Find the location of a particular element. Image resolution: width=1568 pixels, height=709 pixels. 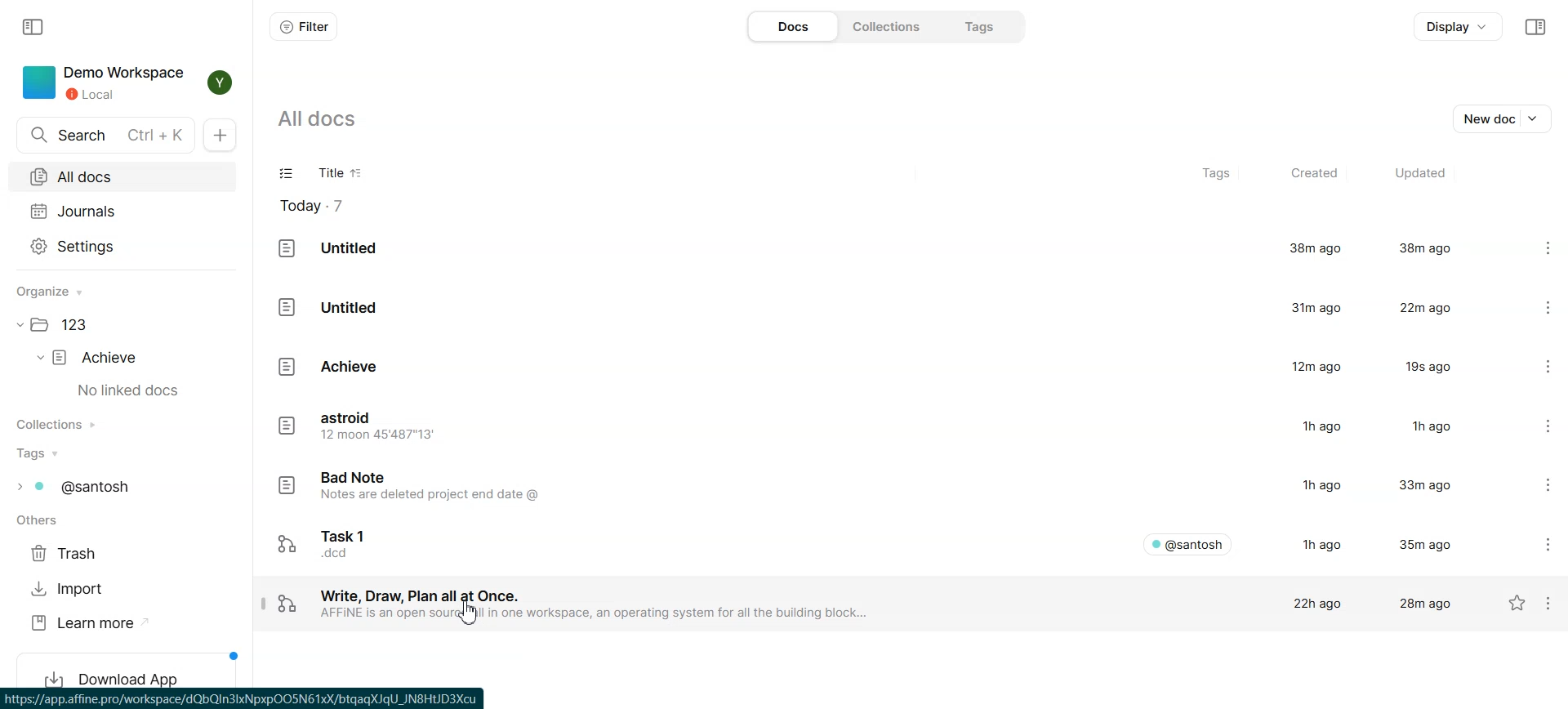

Tags is located at coordinates (1218, 175).